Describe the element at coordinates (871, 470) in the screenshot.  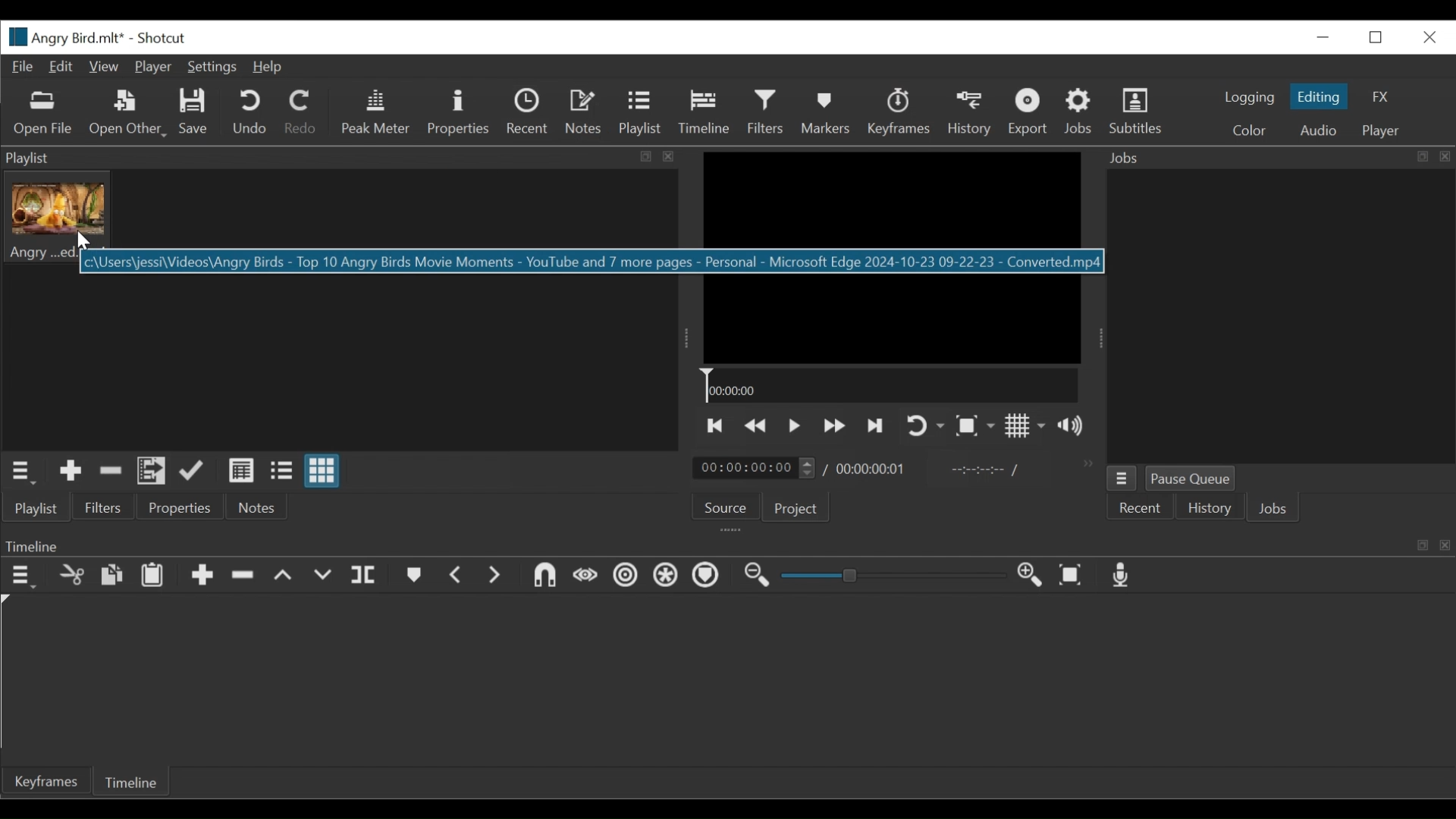
I see `time` at that location.